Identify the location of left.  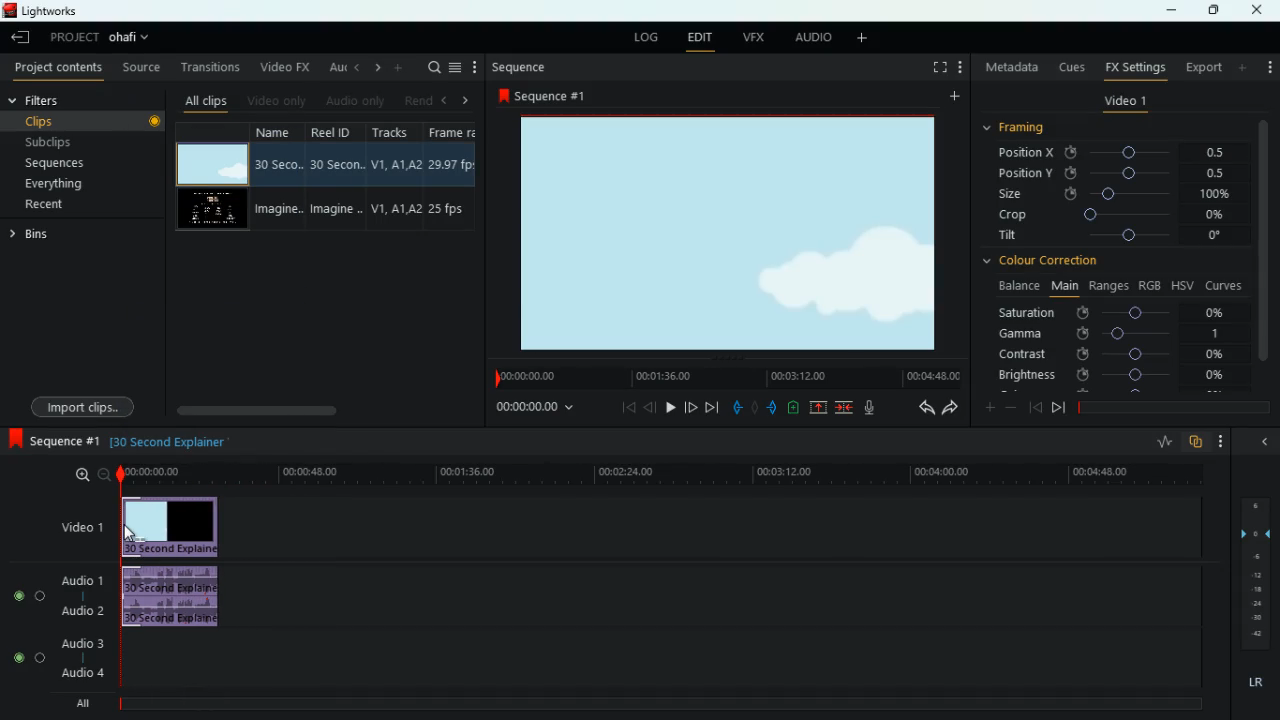
(443, 100).